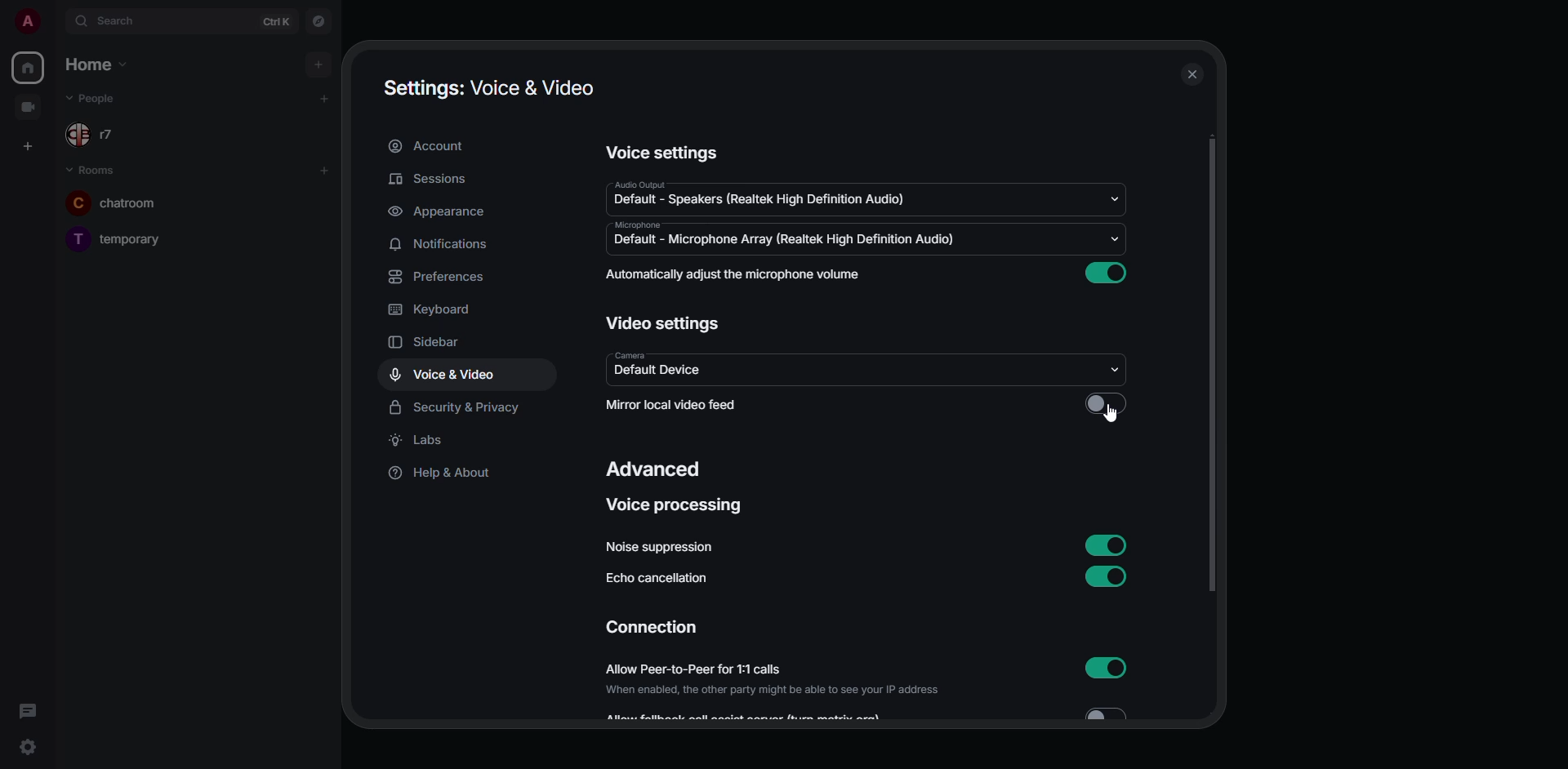  Describe the element at coordinates (673, 506) in the screenshot. I see `voice processing` at that location.